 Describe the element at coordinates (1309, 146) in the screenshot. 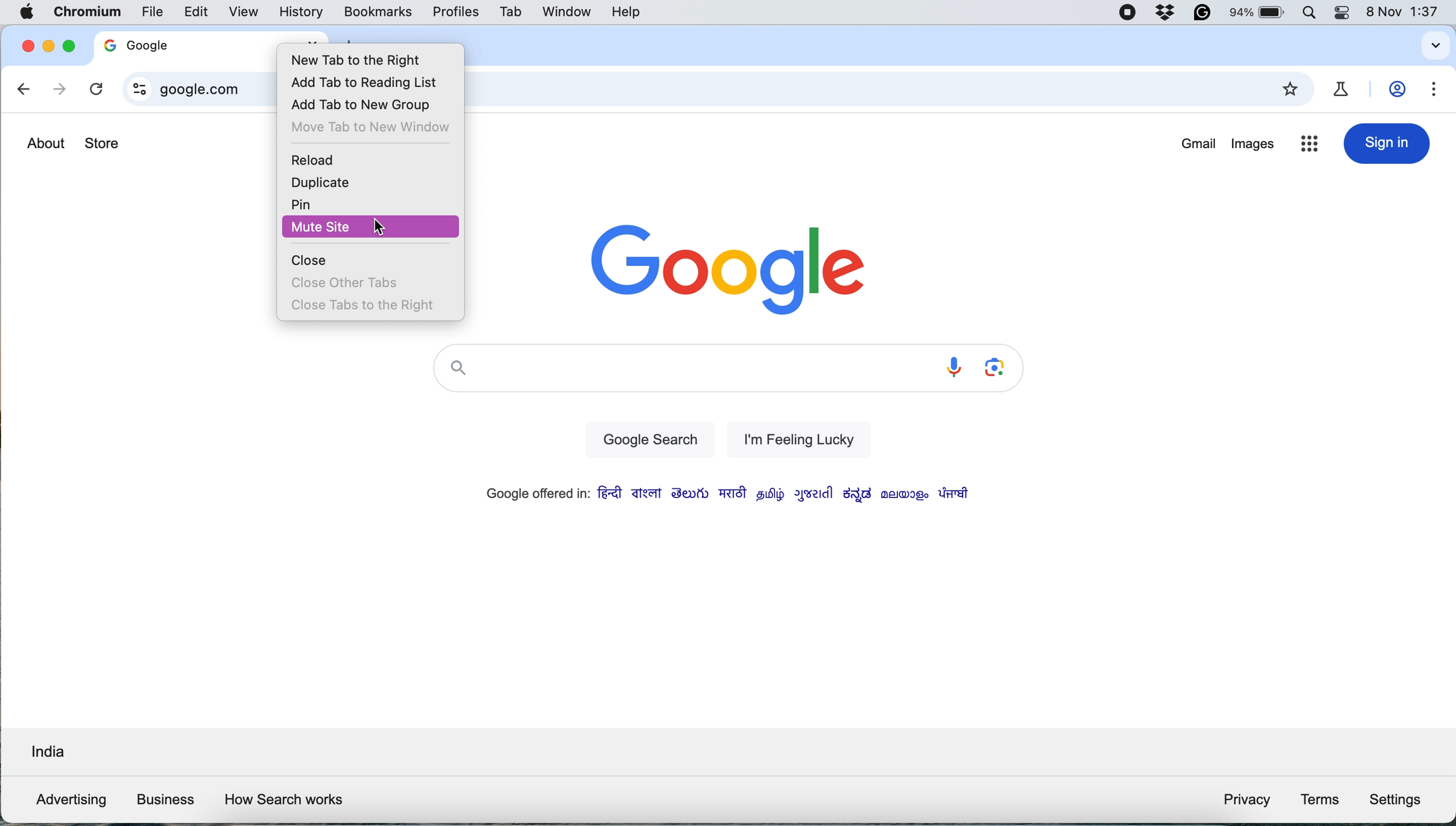

I see `chrome store` at that location.